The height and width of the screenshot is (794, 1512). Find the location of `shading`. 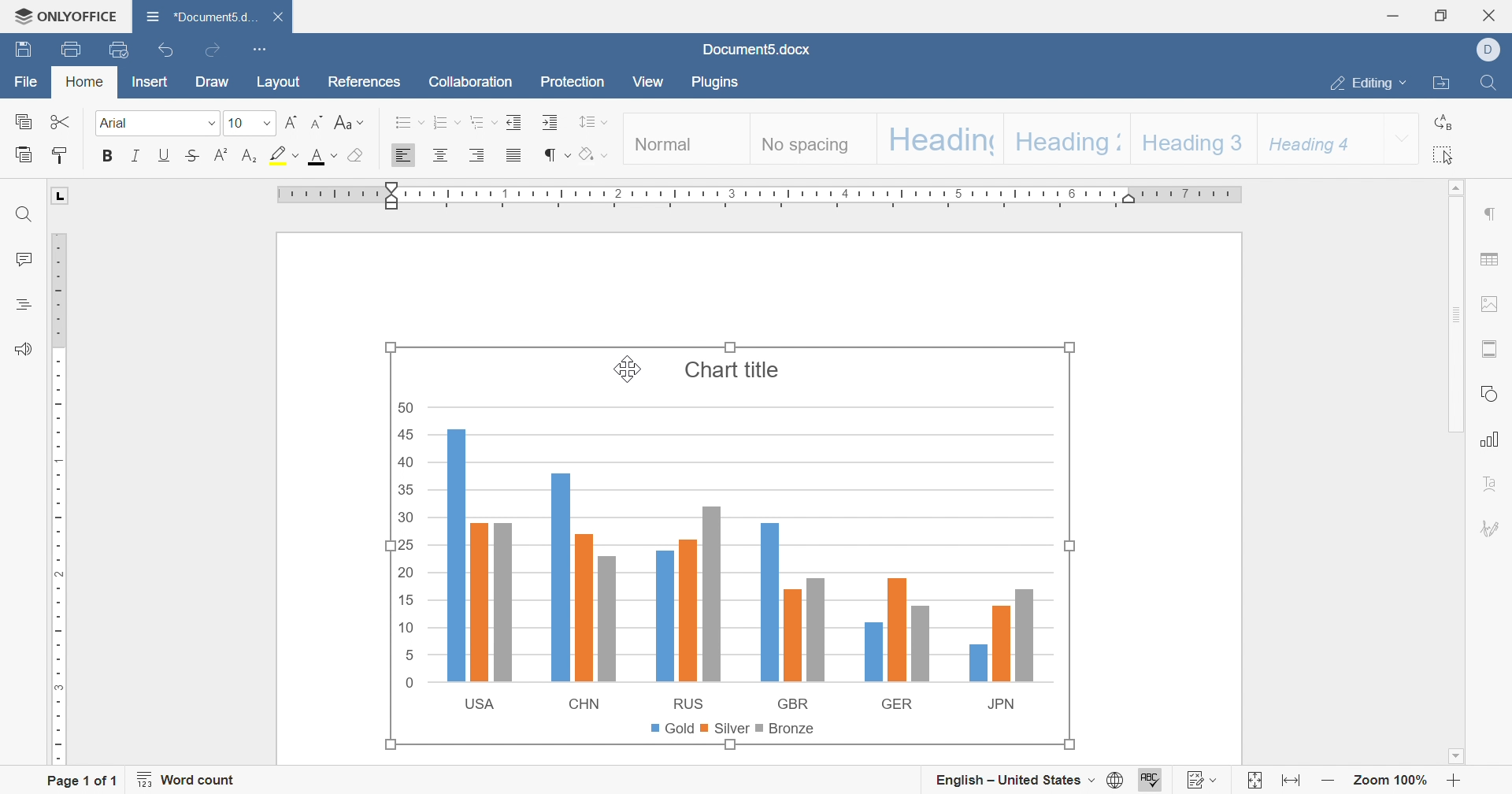

shading is located at coordinates (355, 156).